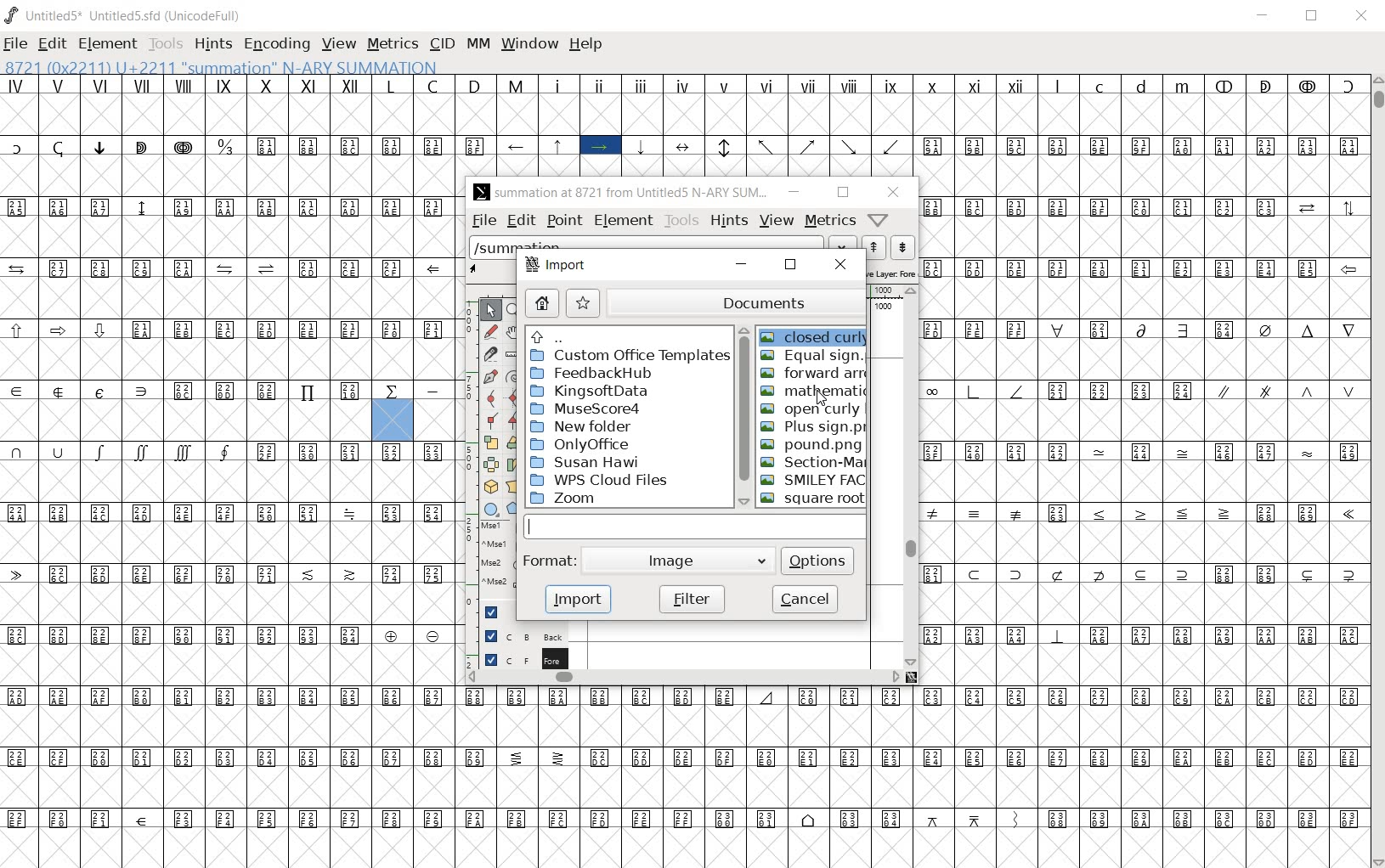  What do you see at coordinates (514, 332) in the screenshot?
I see `scroll by hand` at bounding box center [514, 332].